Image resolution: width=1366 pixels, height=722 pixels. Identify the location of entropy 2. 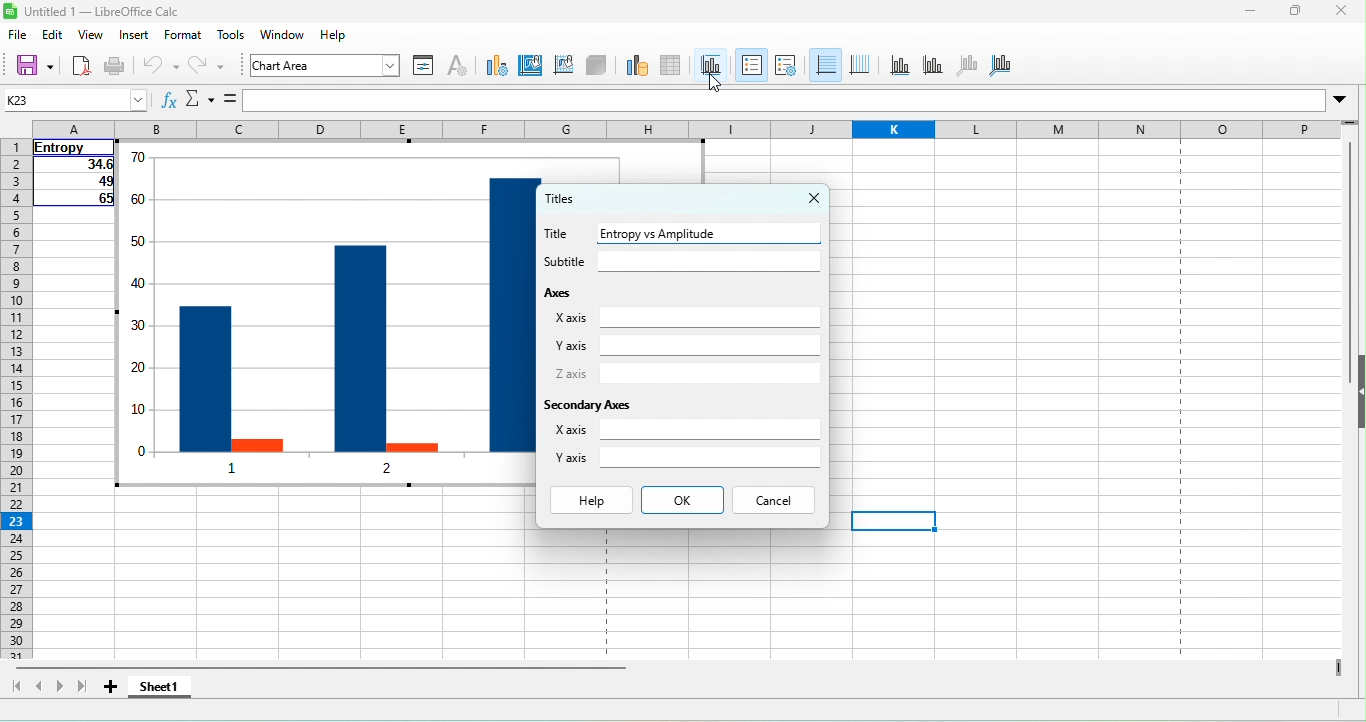
(359, 348).